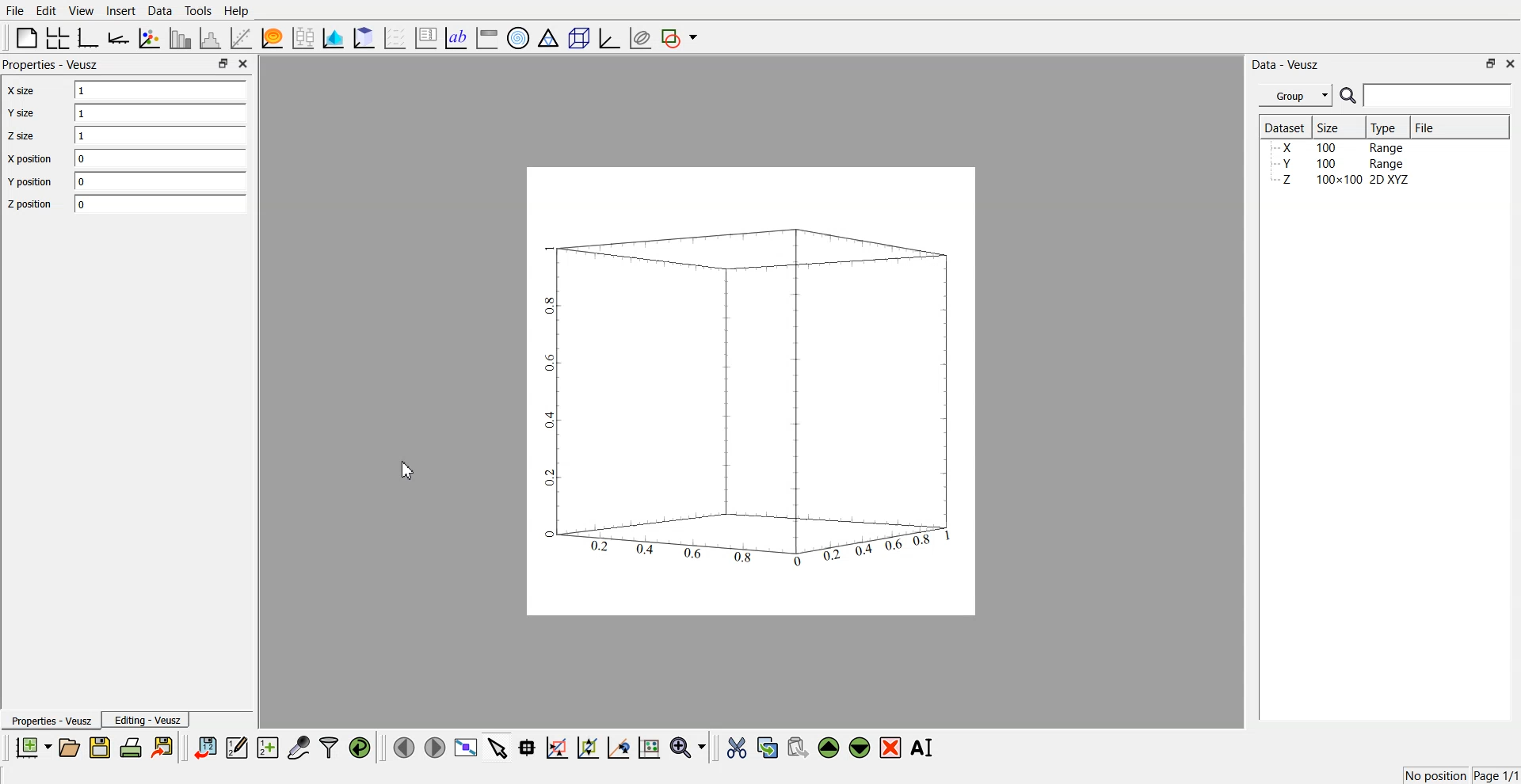 This screenshot has height=784, width=1521. What do you see at coordinates (364, 38) in the screenshot?
I see `3D Volume` at bounding box center [364, 38].